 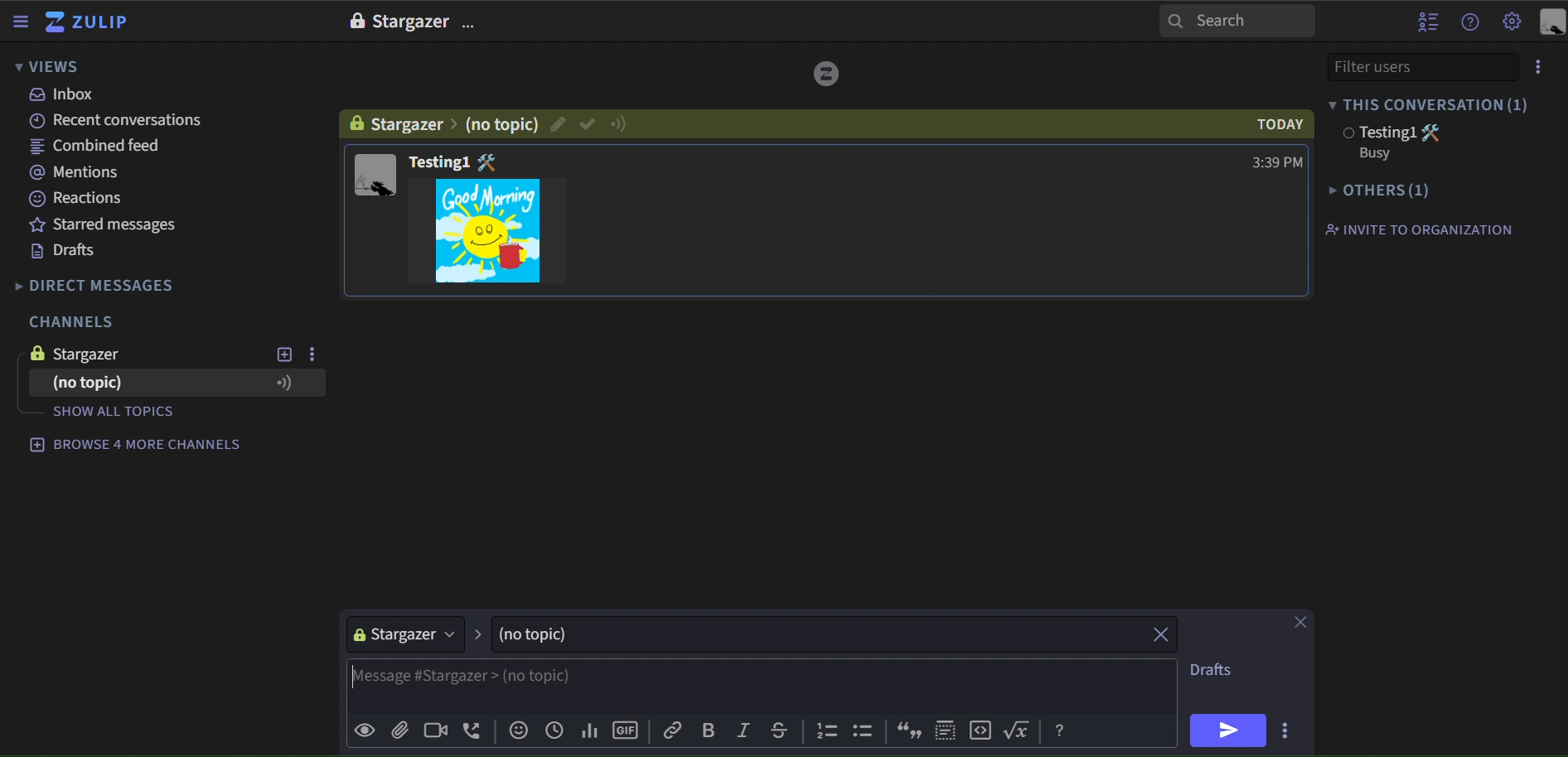 I want to click on resolved, so click(x=588, y=124).